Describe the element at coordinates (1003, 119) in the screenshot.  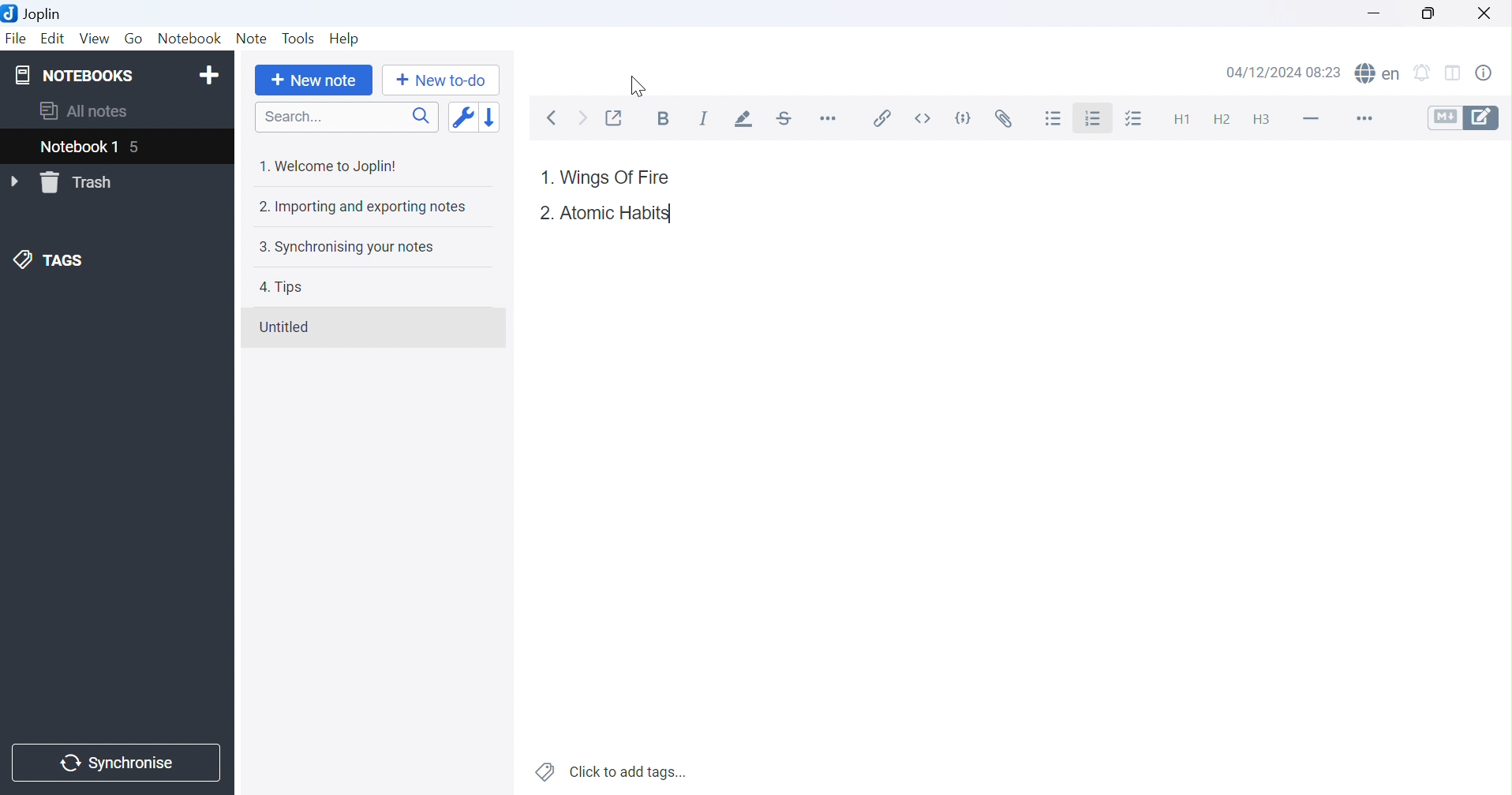
I see `Attach file` at that location.